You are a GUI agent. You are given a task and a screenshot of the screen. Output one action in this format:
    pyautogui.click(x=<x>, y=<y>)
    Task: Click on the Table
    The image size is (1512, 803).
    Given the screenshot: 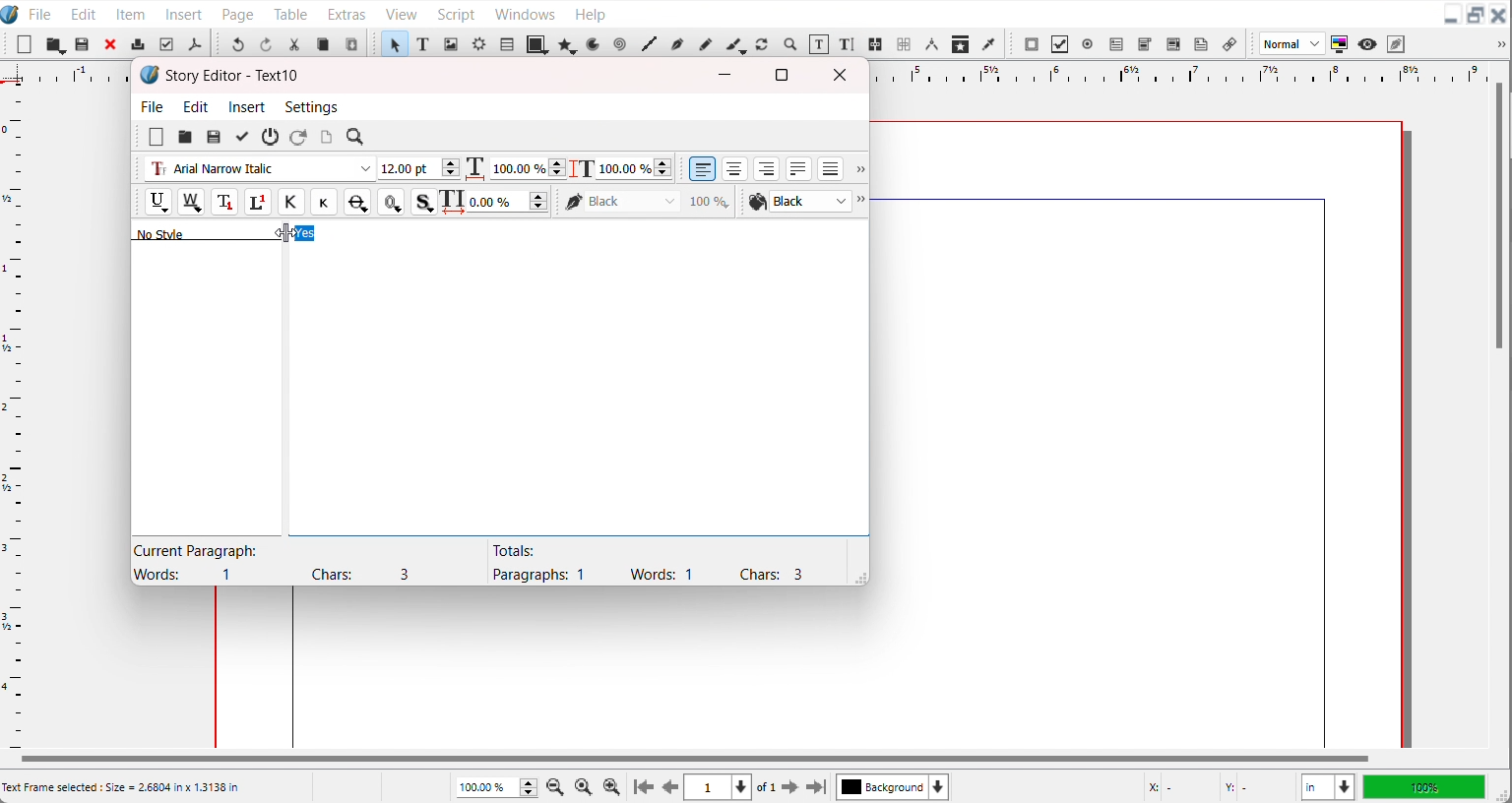 What is the action you would take?
    pyautogui.click(x=291, y=13)
    